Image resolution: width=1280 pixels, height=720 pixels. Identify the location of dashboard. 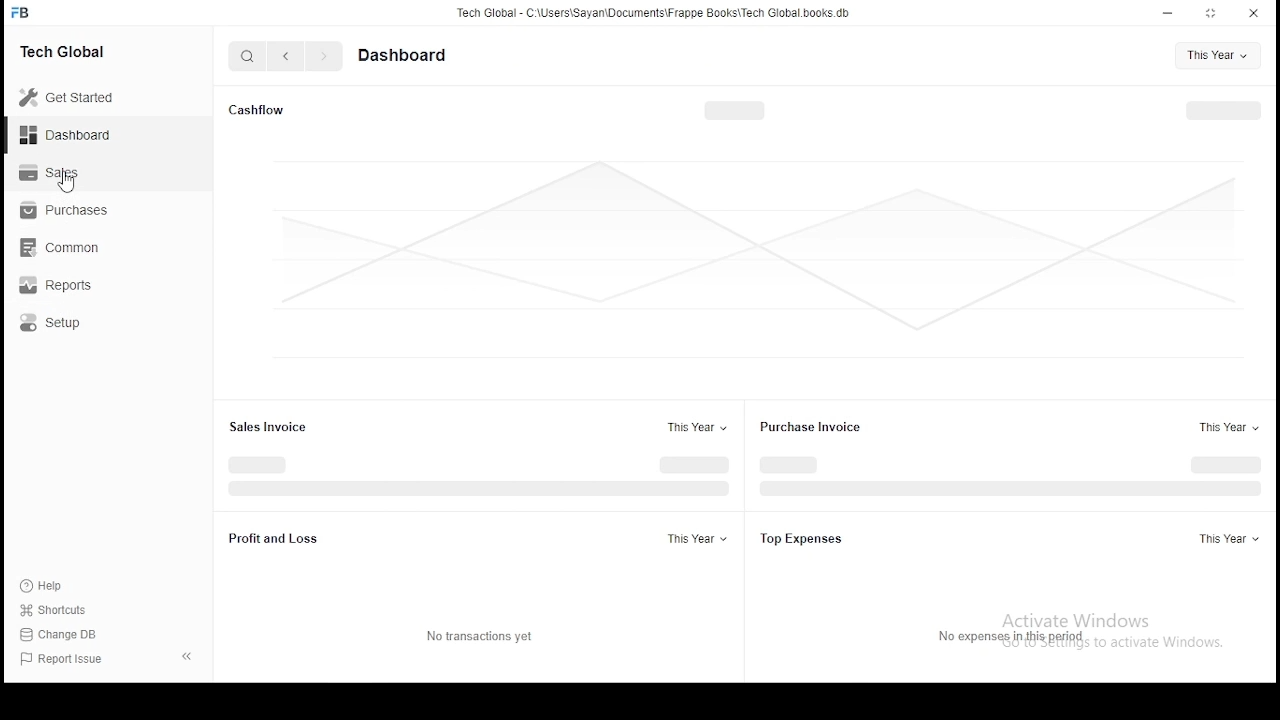
(66, 133).